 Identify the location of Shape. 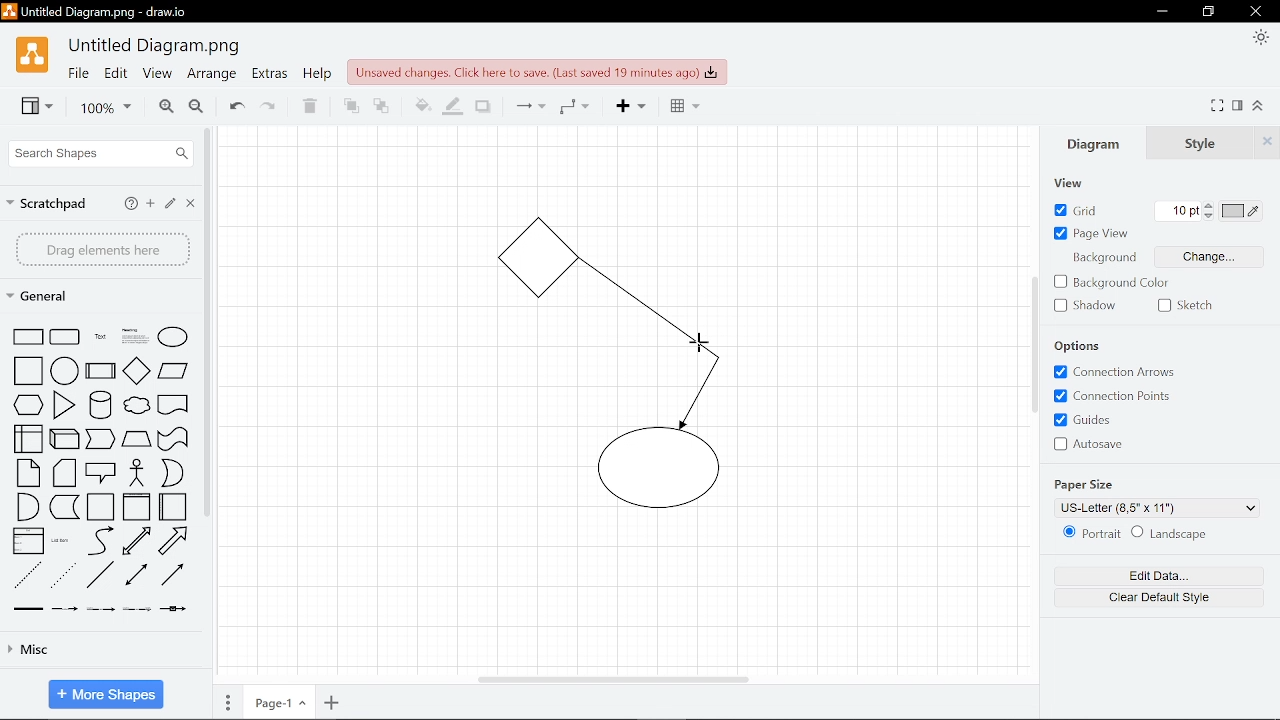
(25, 336).